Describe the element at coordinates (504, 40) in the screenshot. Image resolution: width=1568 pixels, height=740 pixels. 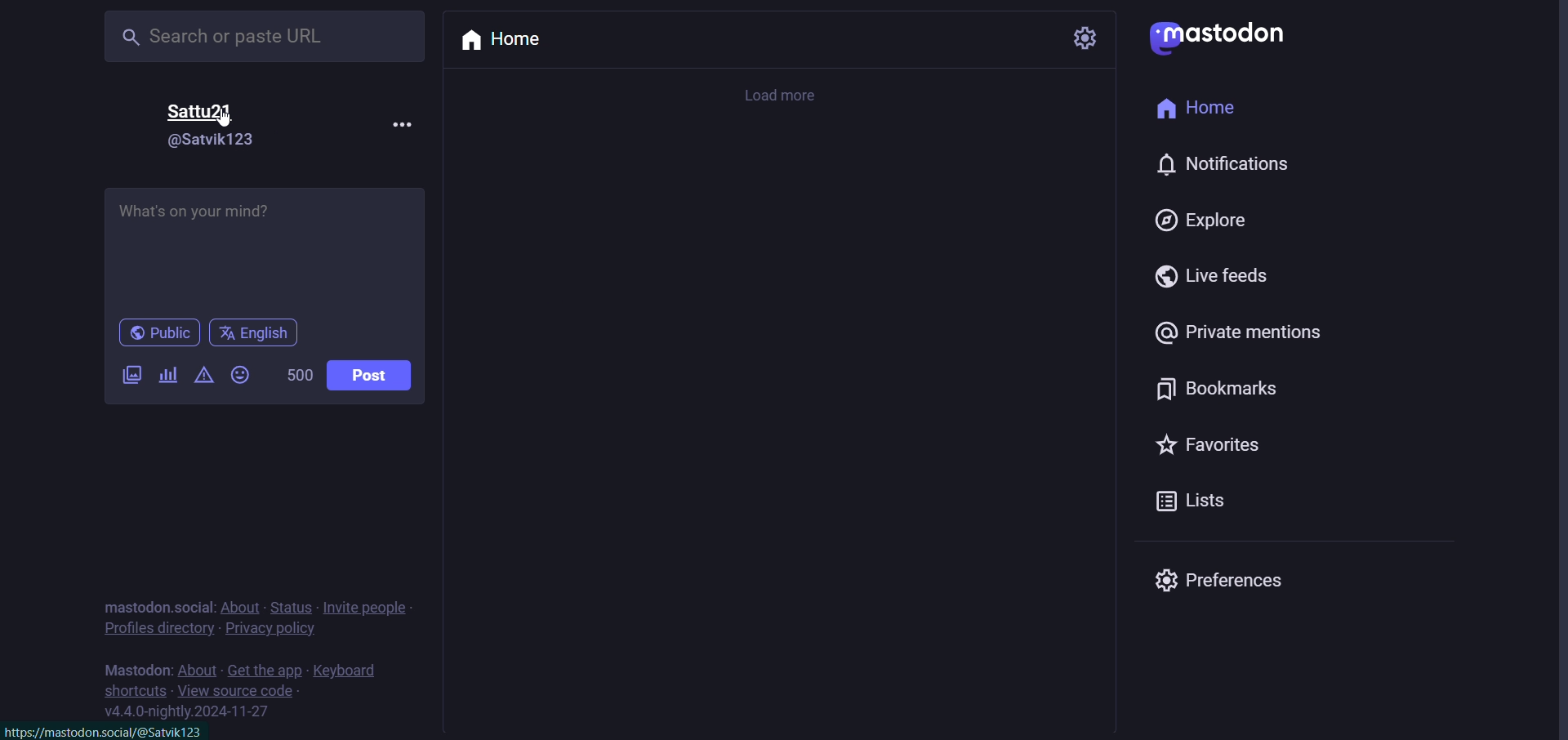
I see `home` at that location.